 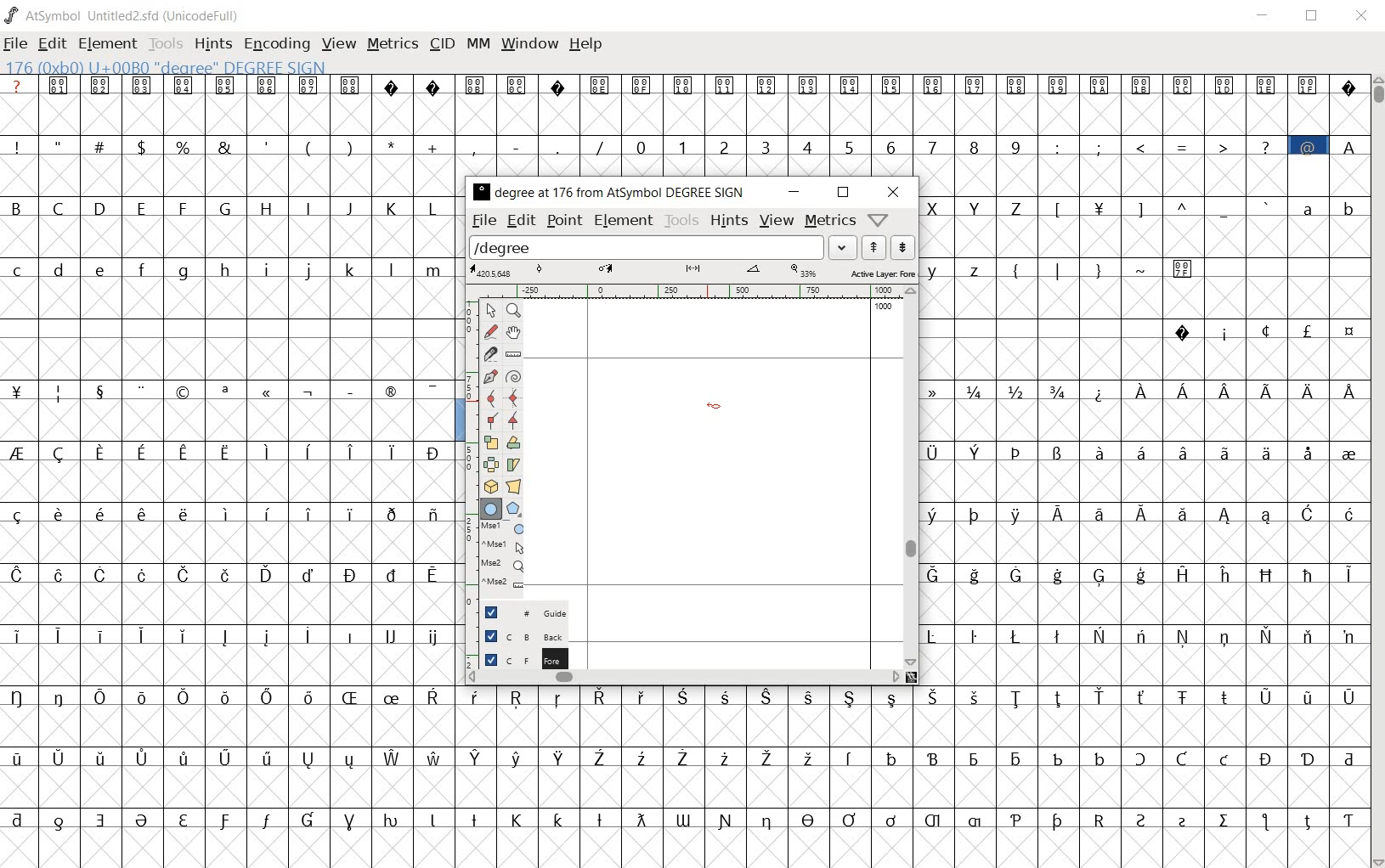 What do you see at coordinates (478, 44) in the screenshot?
I see `mm` at bounding box center [478, 44].